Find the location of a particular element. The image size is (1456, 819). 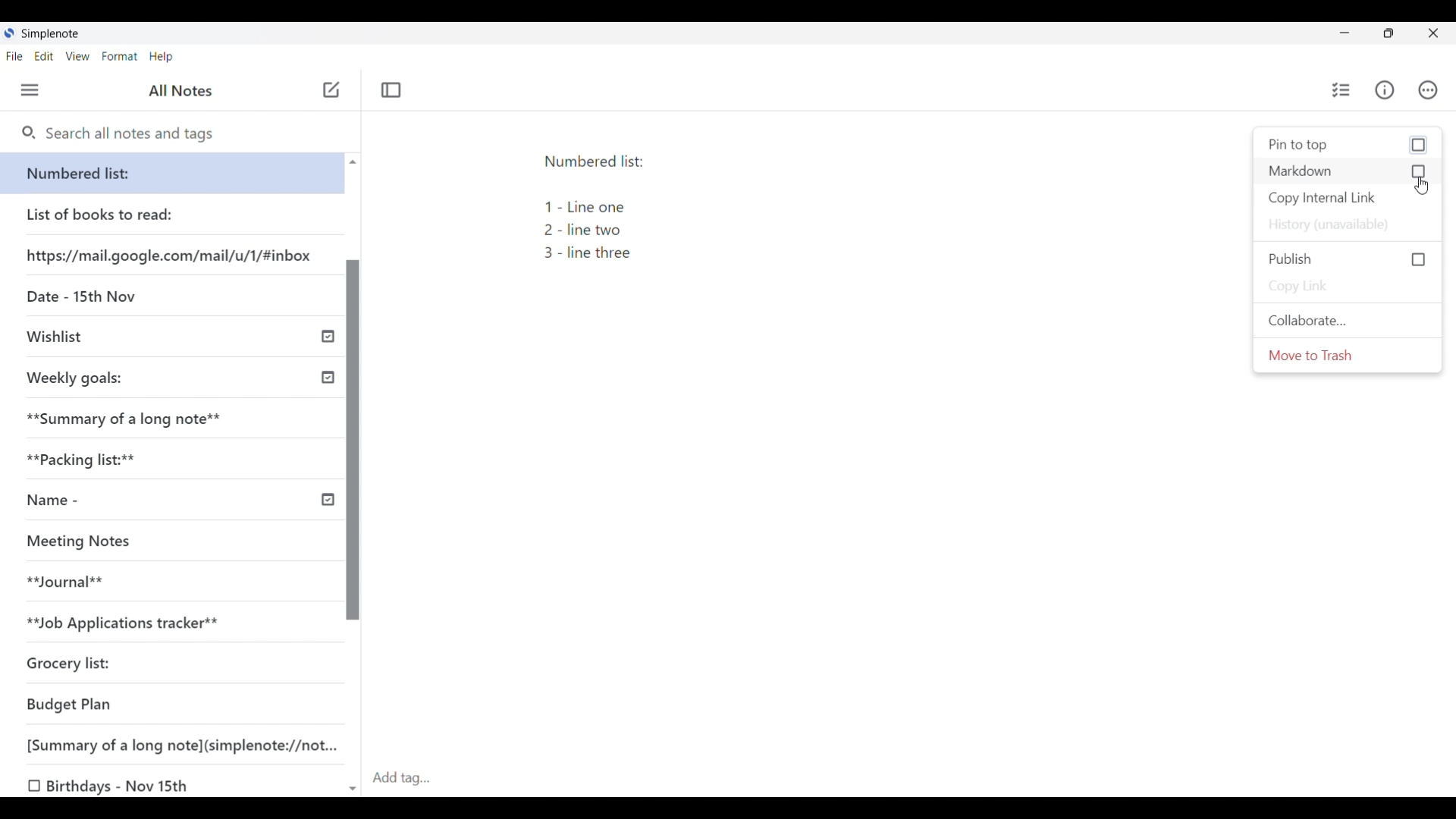

History is located at coordinates (1348, 224).